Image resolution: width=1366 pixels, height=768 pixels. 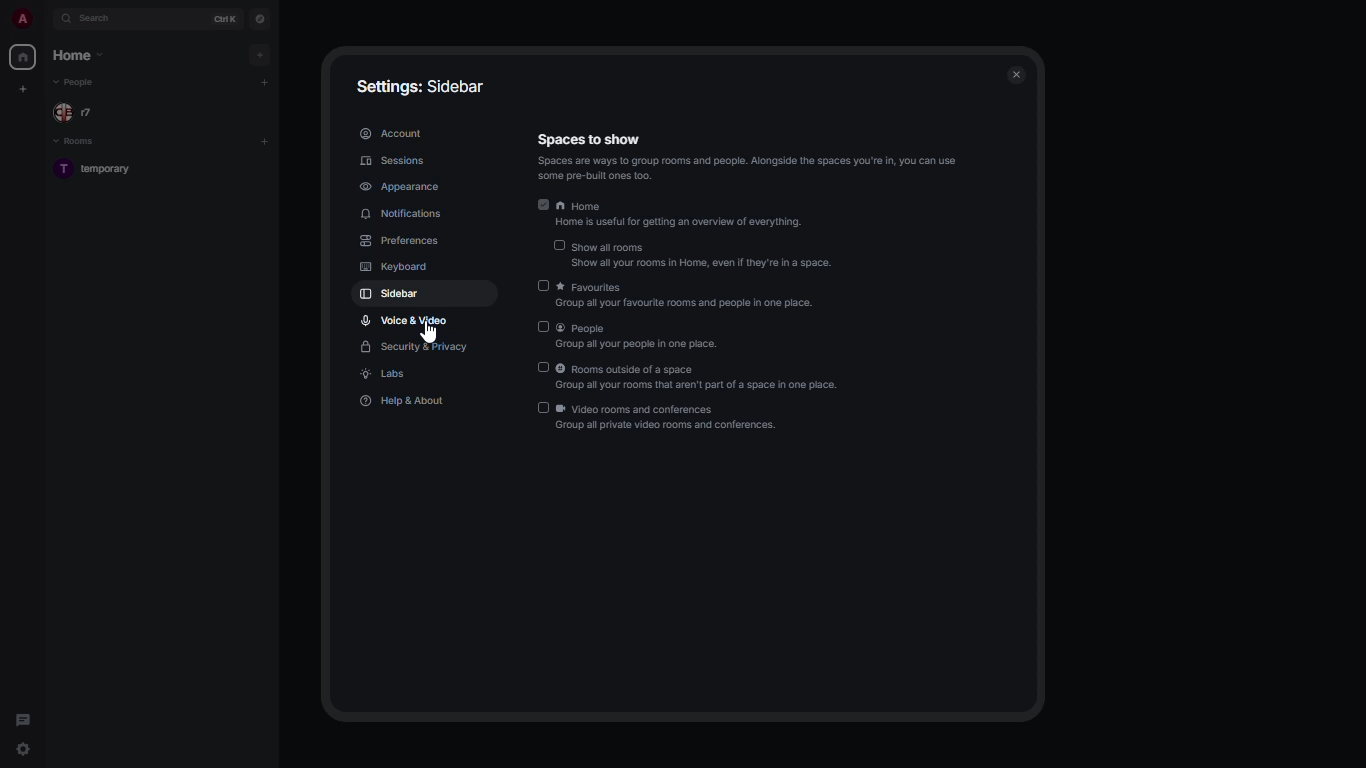 What do you see at coordinates (421, 84) in the screenshot?
I see `settings: sidebar` at bounding box center [421, 84].